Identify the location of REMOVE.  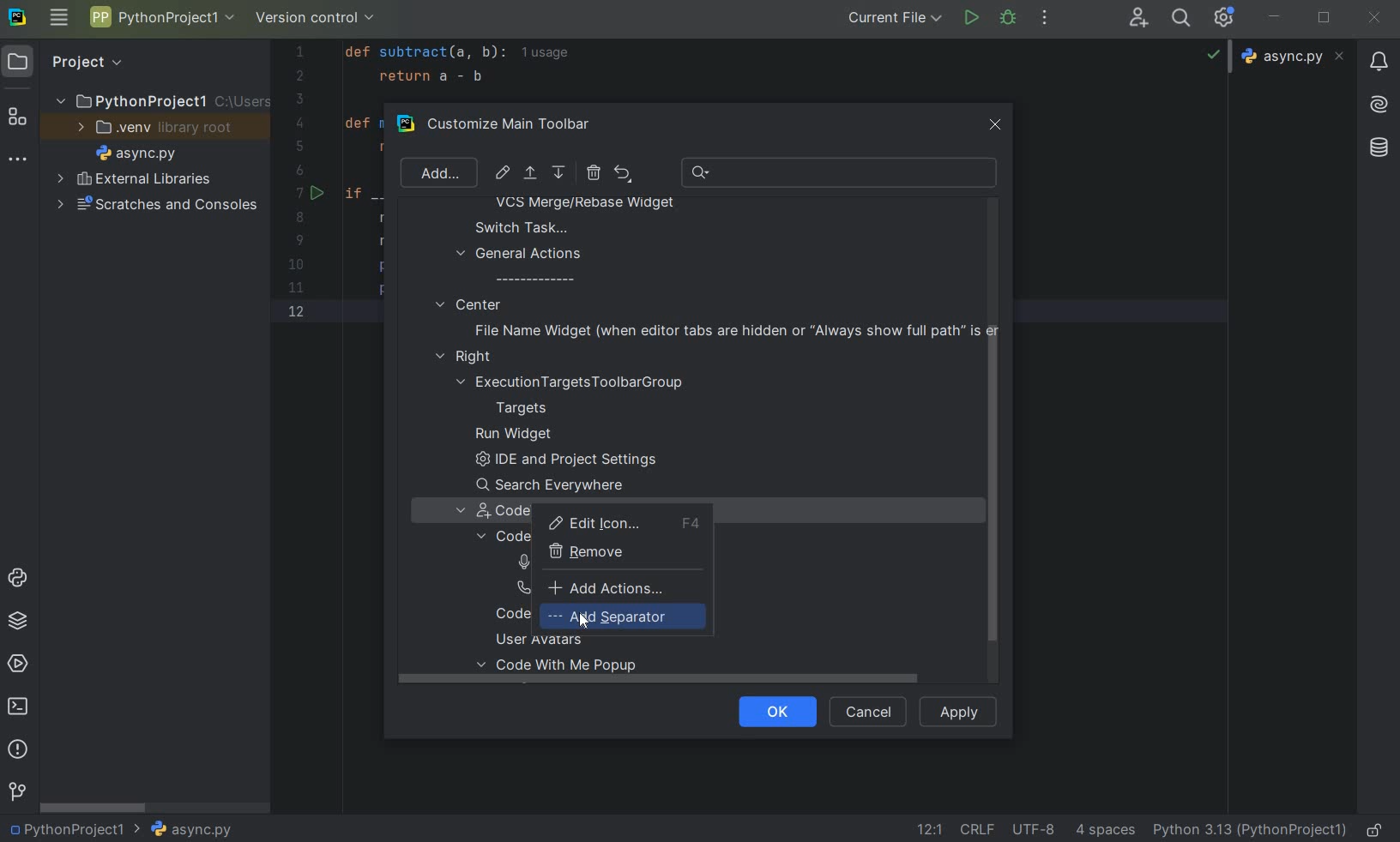
(593, 172).